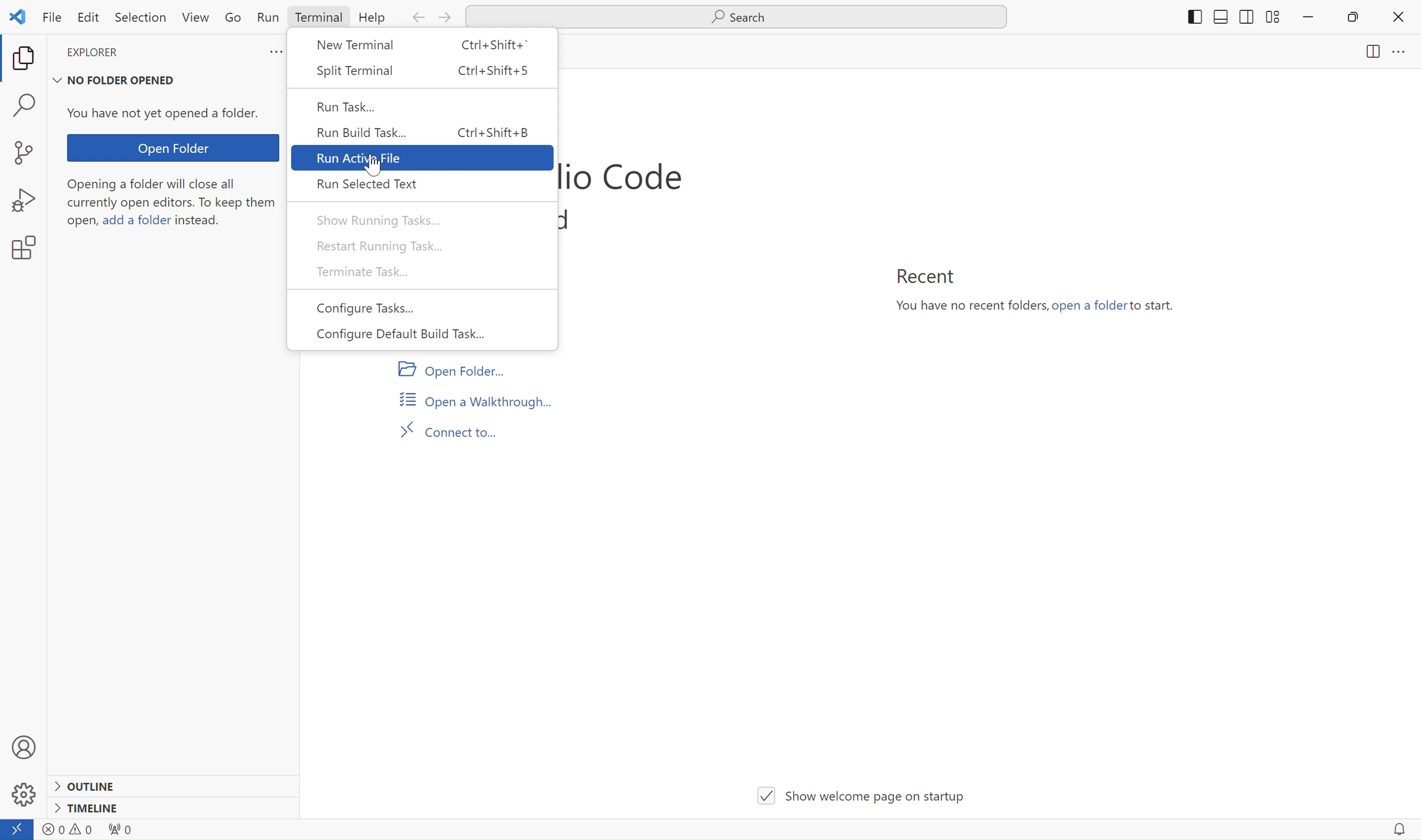 The width and height of the screenshot is (1421, 840). I want to click on shift to sides, so click(1224, 16).